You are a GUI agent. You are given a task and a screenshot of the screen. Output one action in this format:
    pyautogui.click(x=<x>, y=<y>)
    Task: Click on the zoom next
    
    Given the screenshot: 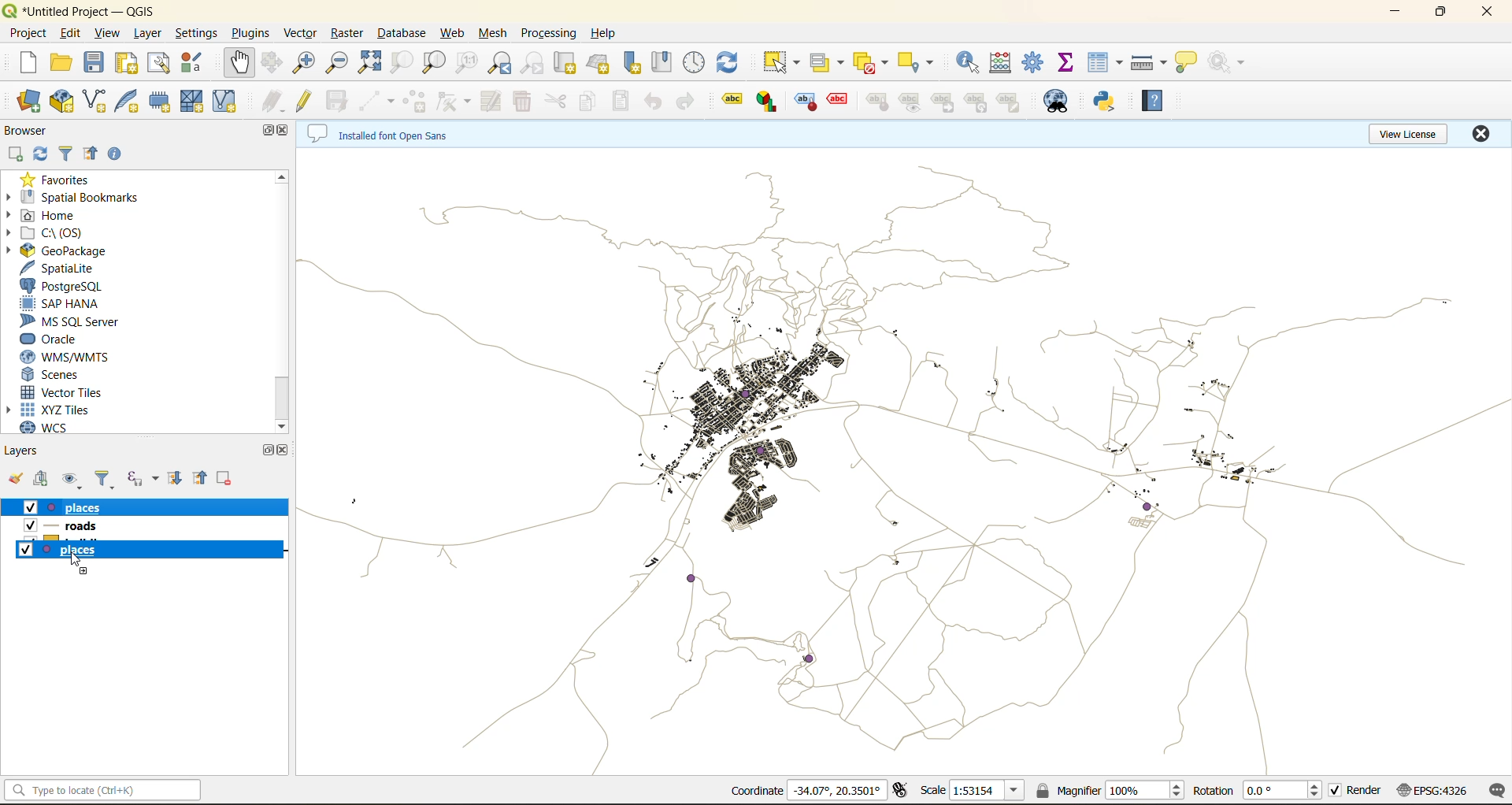 What is the action you would take?
    pyautogui.click(x=533, y=64)
    